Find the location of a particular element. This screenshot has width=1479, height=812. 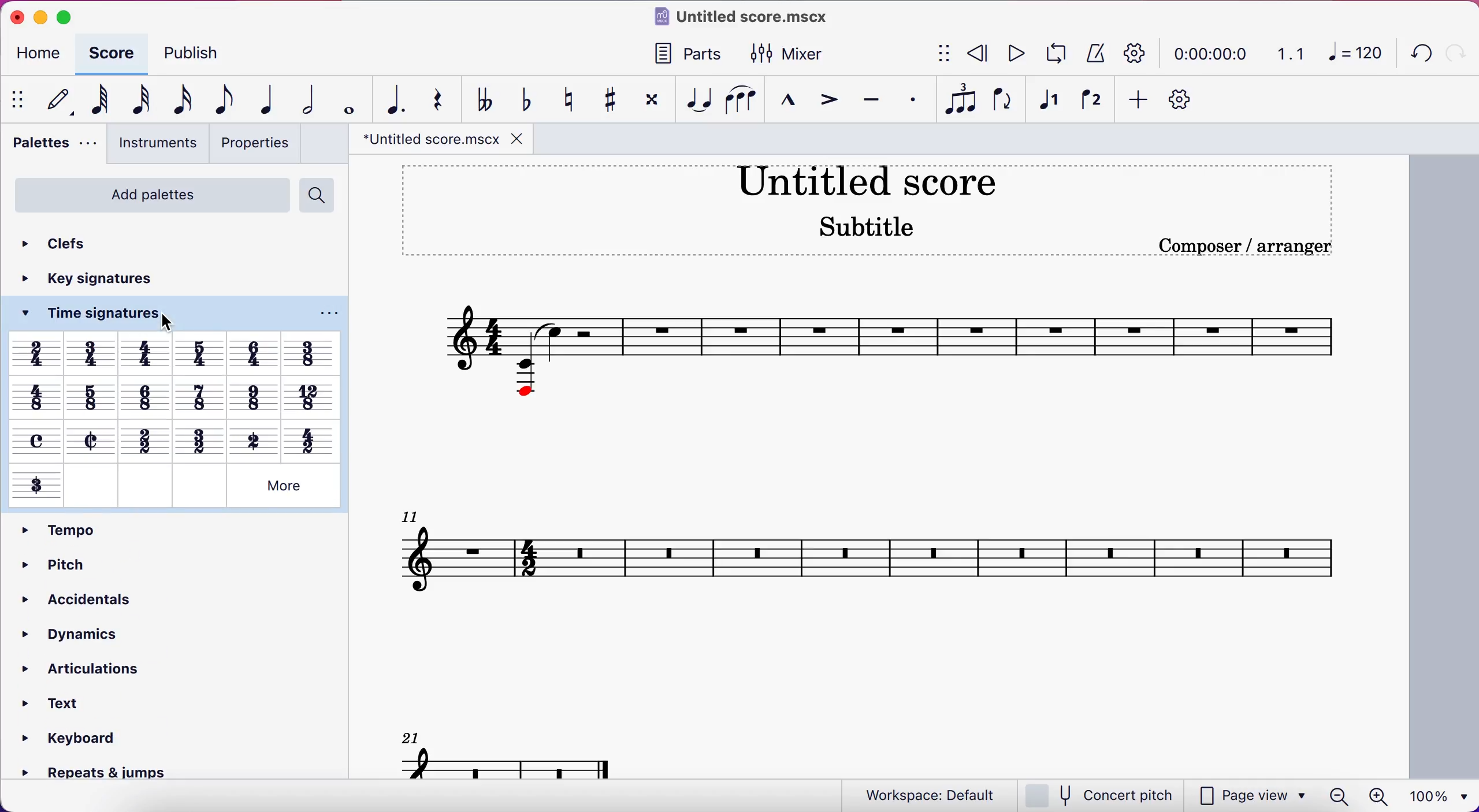

1.1 is located at coordinates (1287, 54).